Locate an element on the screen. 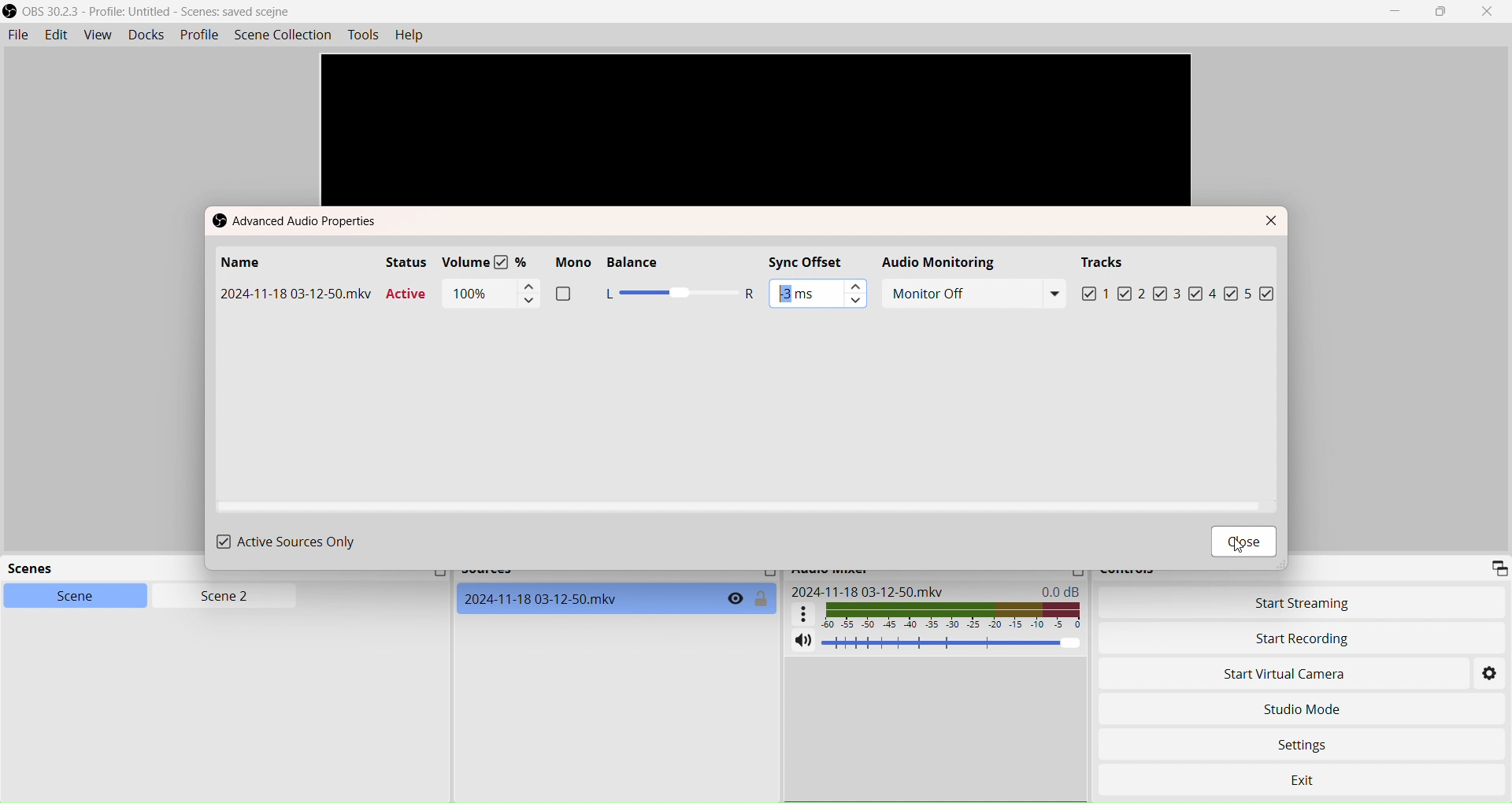 This screenshot has width=1512, height=803. Minimize is located at coordinates (1399, 12).